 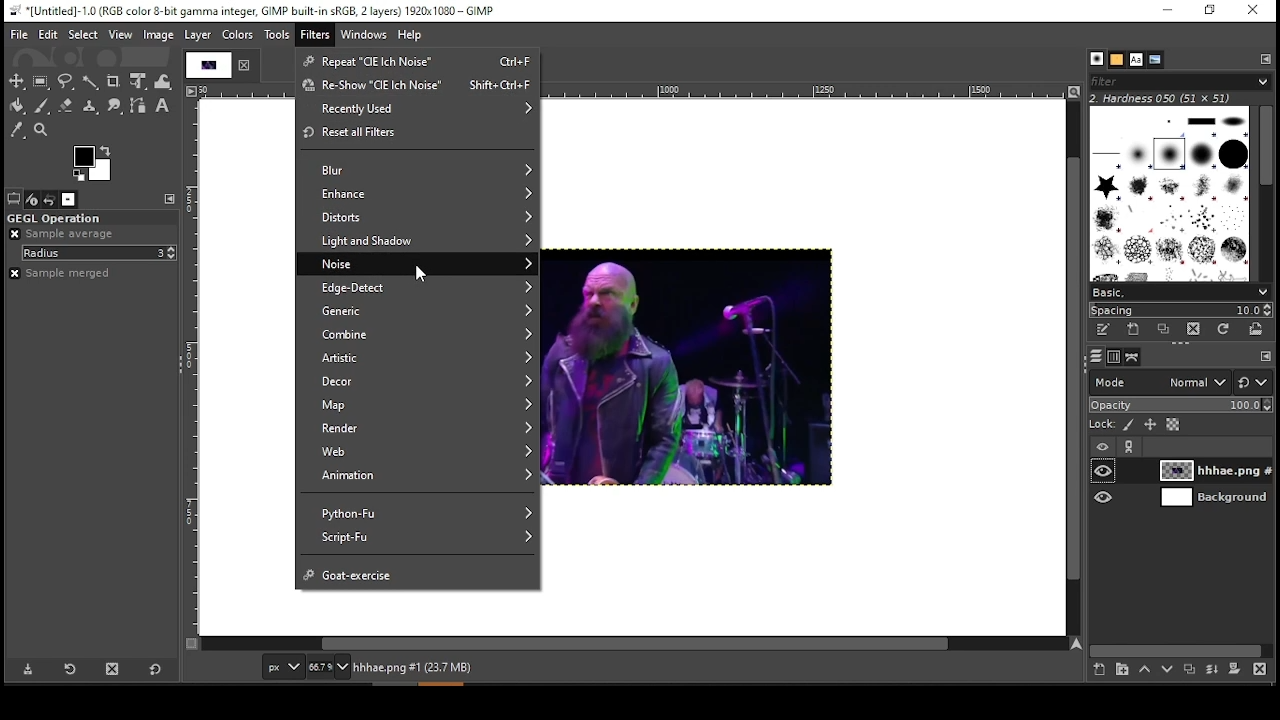 I want to click on filter, so click(x=315, y=35).